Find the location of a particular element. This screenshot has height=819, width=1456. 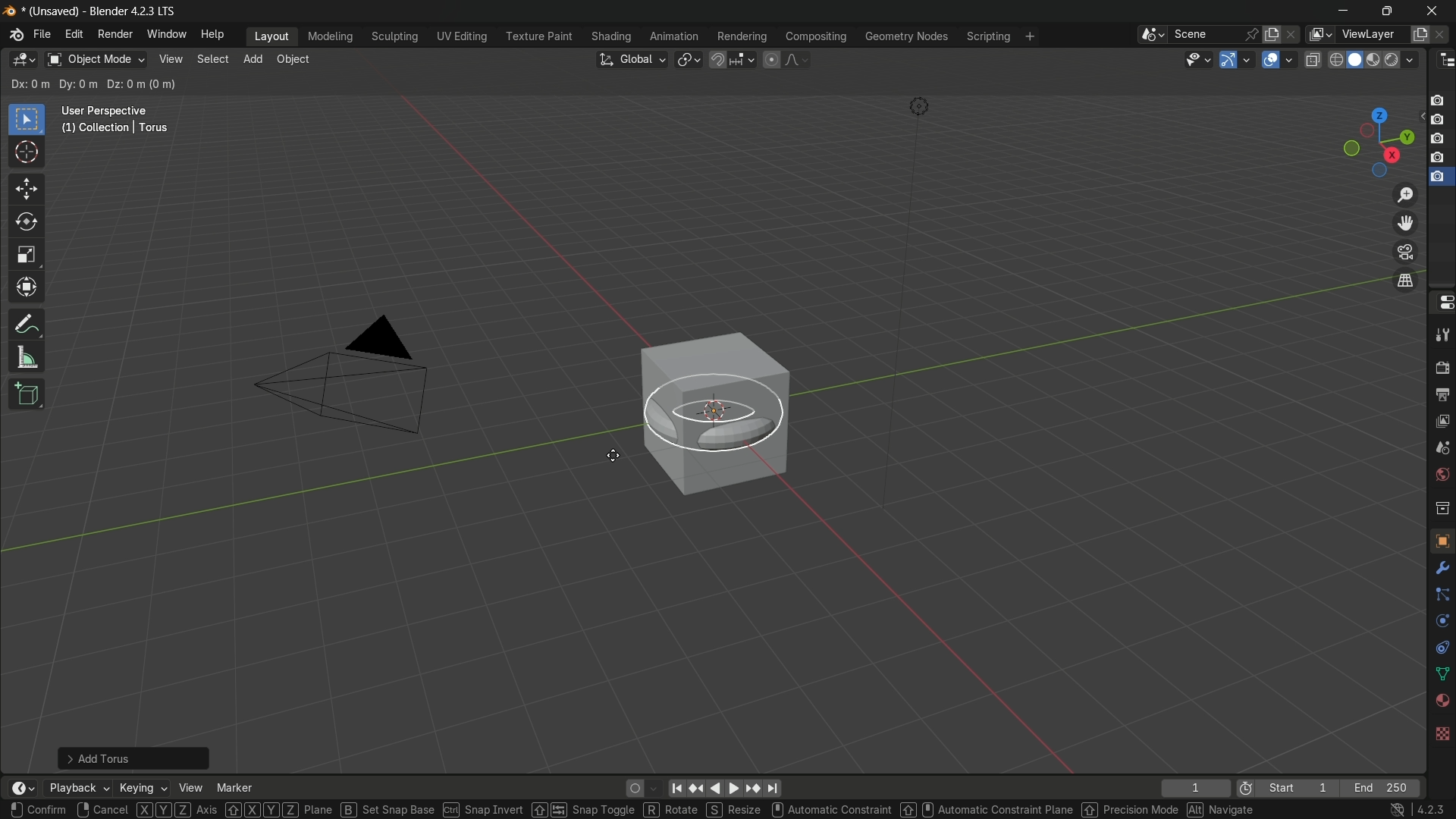

logo is located at coordinates (17, 35).